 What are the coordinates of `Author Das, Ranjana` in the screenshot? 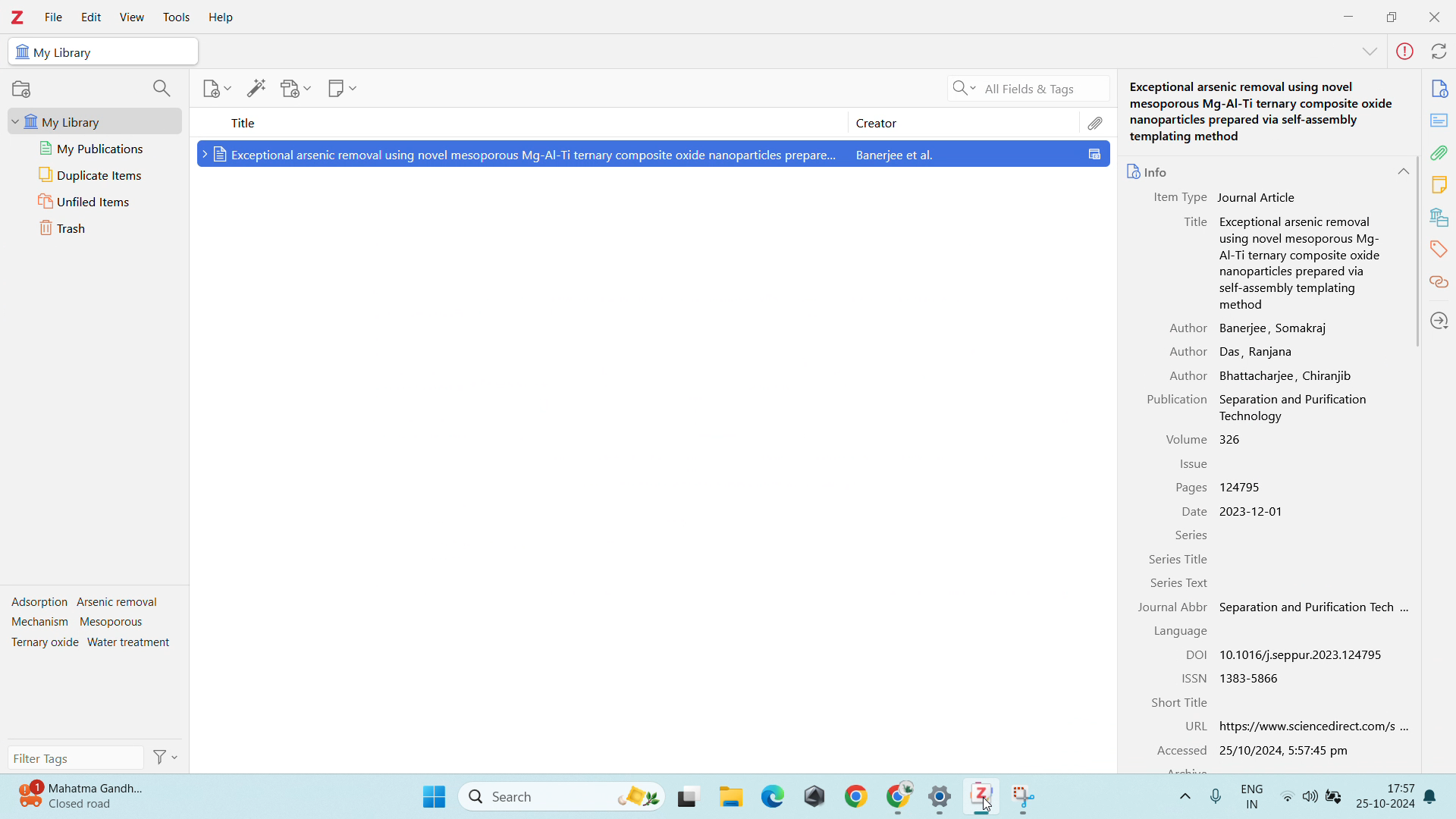 It's located at (1235, 350).